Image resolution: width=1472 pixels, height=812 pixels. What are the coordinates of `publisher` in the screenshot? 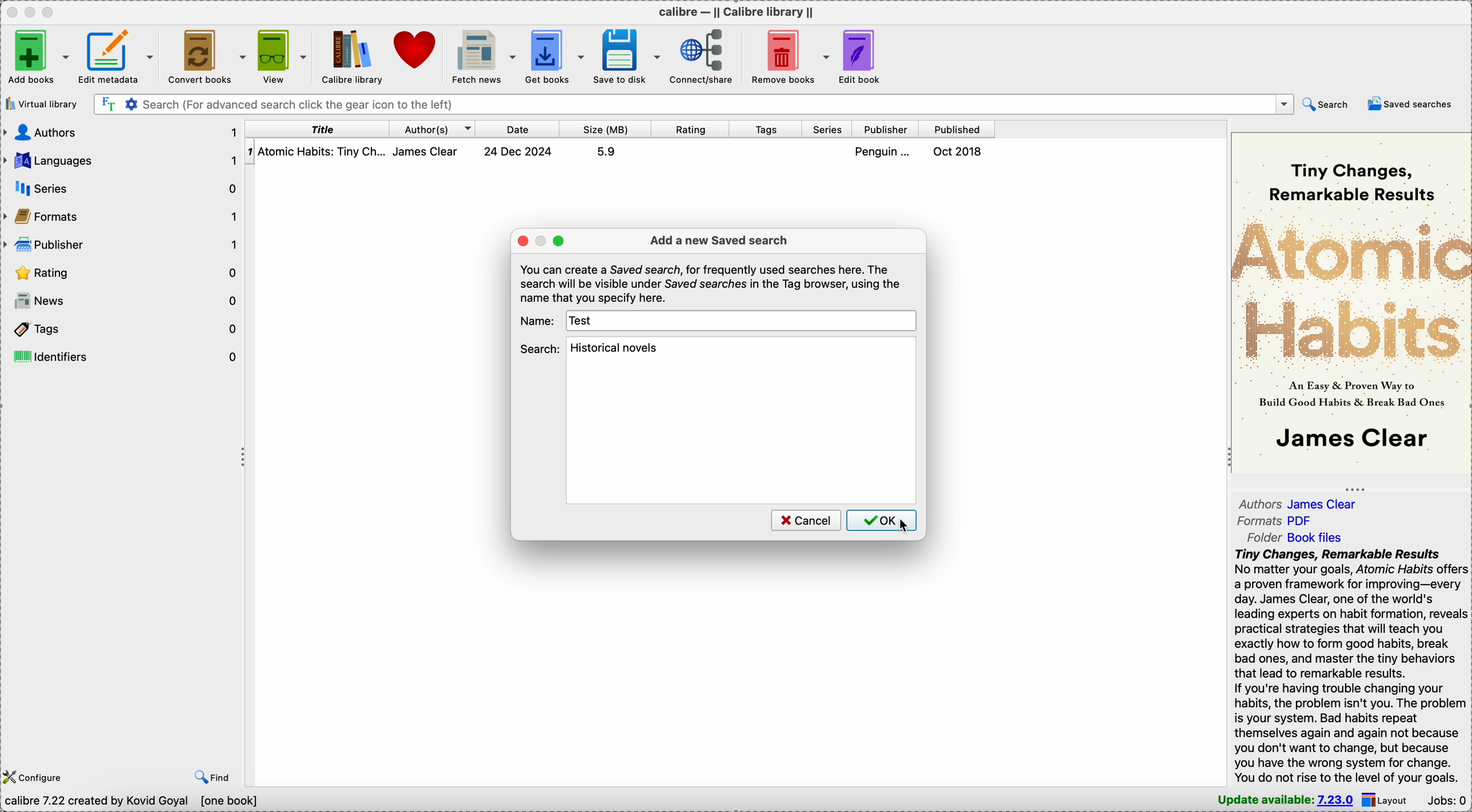 It's located at (887, 130).